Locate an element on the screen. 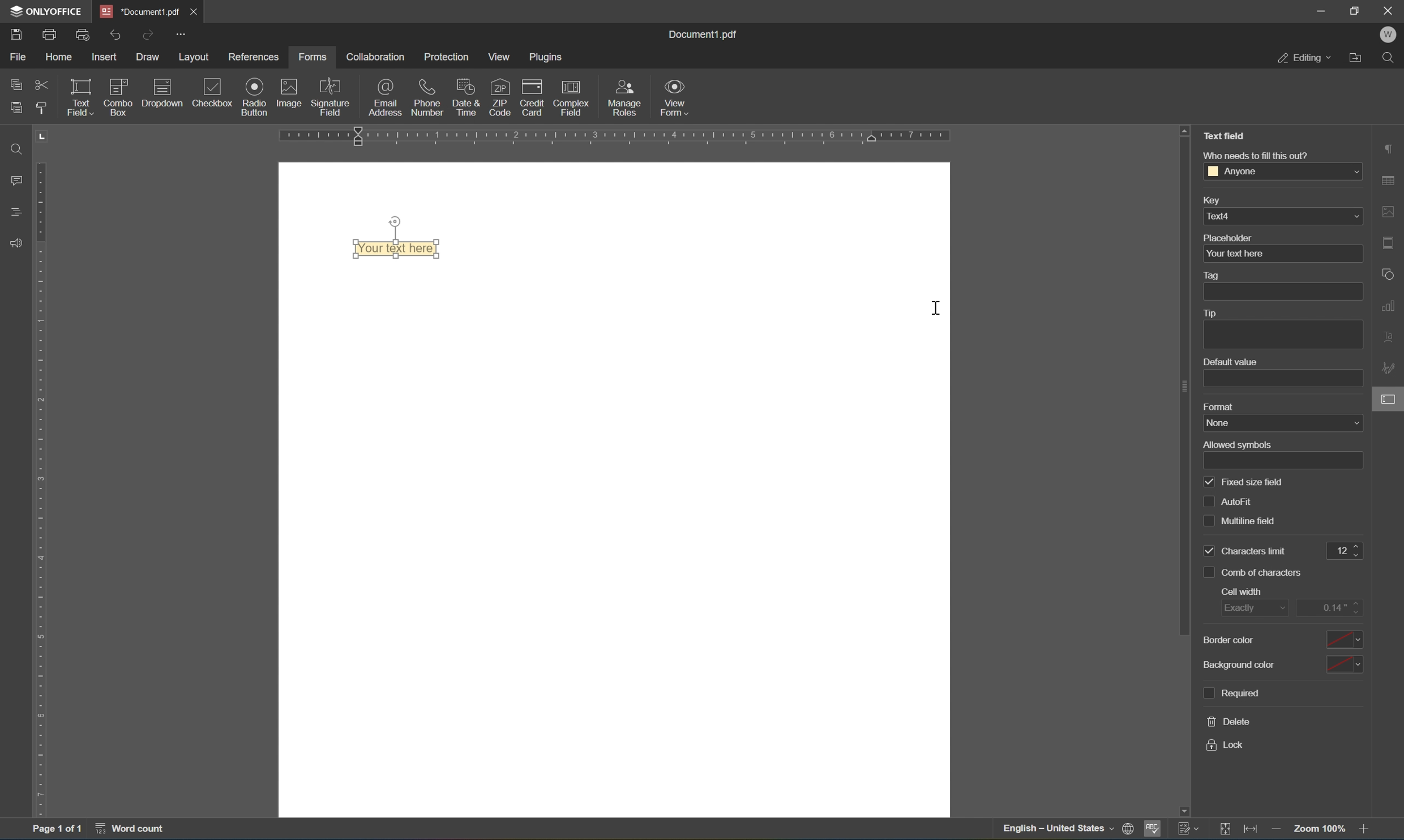 This screenshot has height=840, width=1404. credit card is located at coordinates (532, 99).